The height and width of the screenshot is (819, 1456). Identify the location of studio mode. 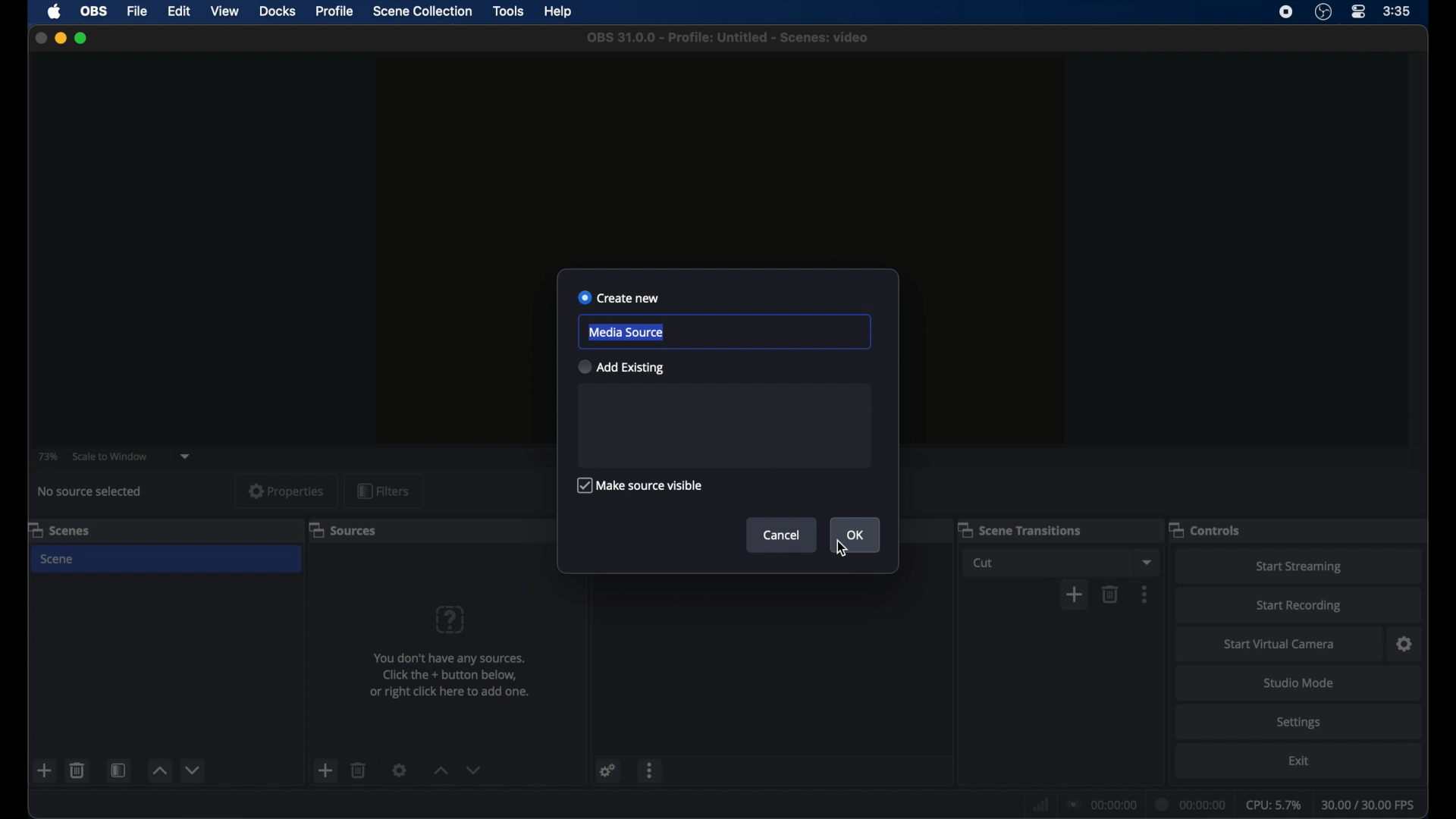
(1300, 682).